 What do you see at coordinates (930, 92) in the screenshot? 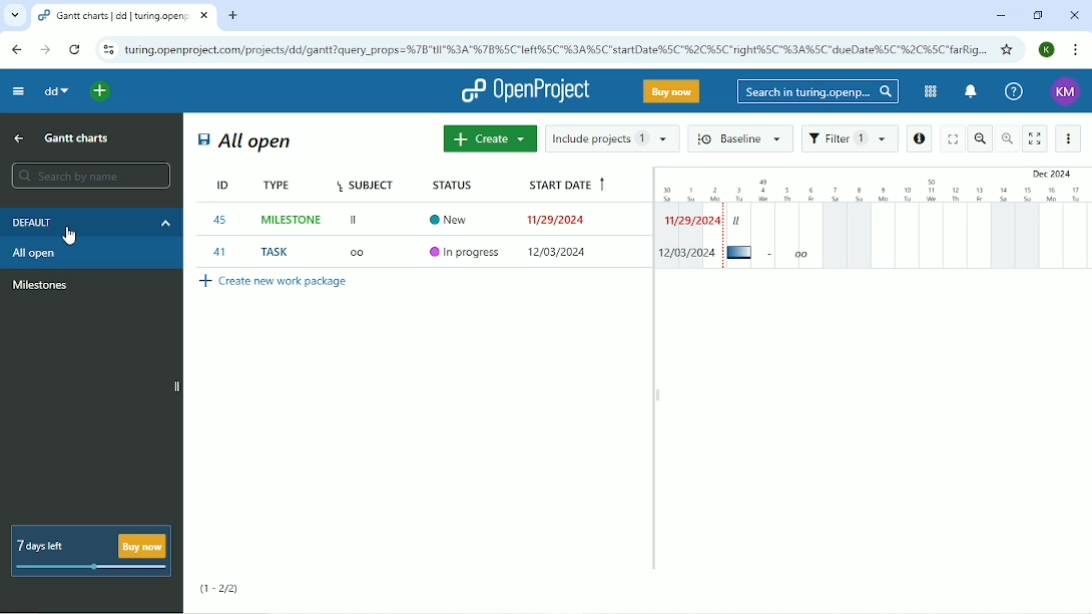
I see `Modules` at bounding box center [930, 92].